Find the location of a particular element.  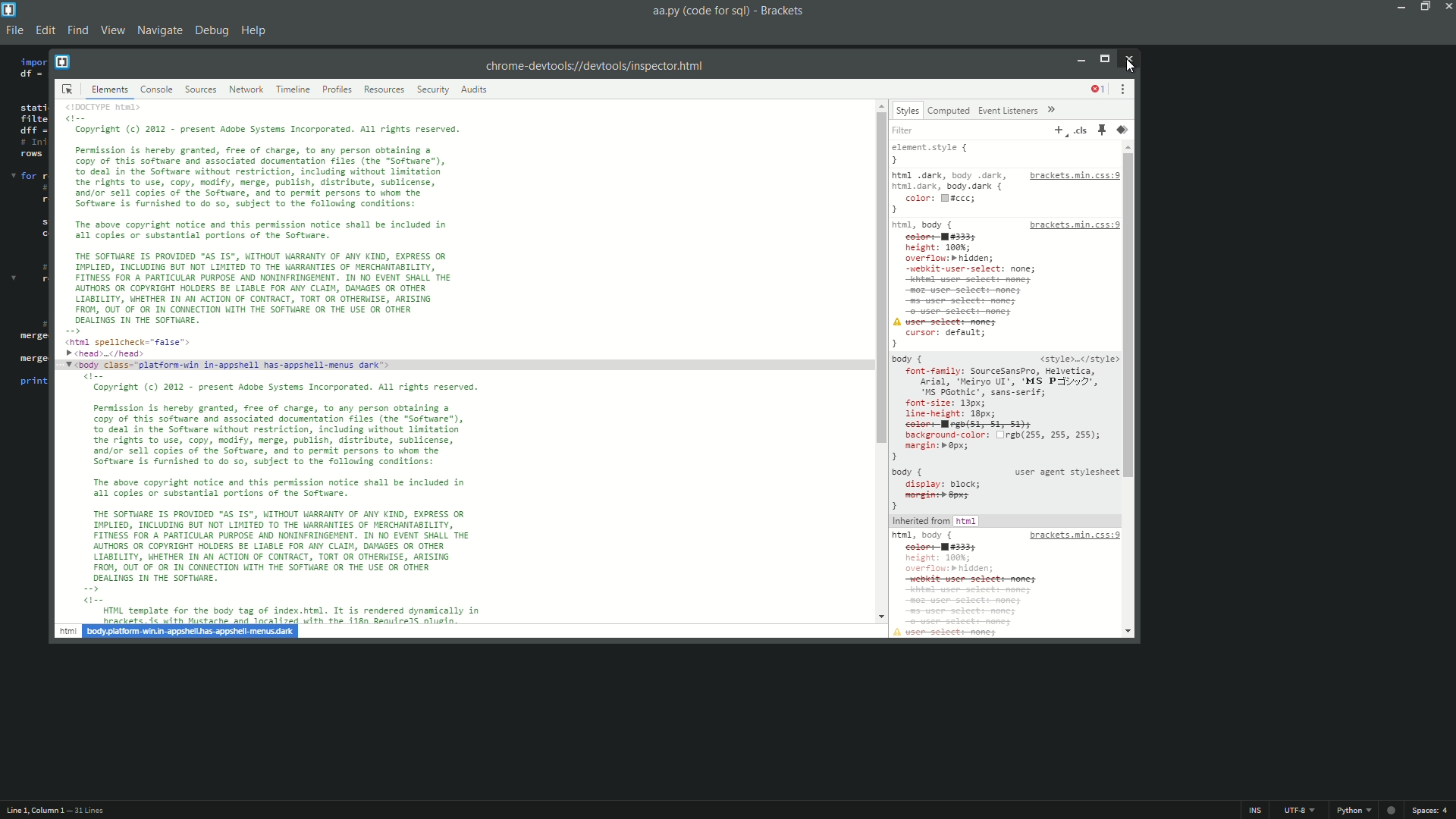

<t--
Copyright (c) 2012 - present Adobe Systems Incorporated. ALL rights reserved.
Permission is hereby granted, free of charge, to any person obtaining a
copy of this software and associated documentation files (the "Software"),
to deal in the Software without restriction, including without limitation
the rights to use, copy, modify, merge, publish, distribute, sublicense,
and/or sell copies of the Software, and to permit persons to whom the
Software is furnished to do so, subject to the following conditions:
The above copyright notice and this permission notice shall be included in
all copies or substantial portions of the Software.
THE SOFTWARE IS PROVIDED "AS IS", WITHOUT WARRANTY OF ANY KIND, EXPRESS OR
IHPLIED, INCLUDING BUT NOT LIMITED TO THE WARRANTIES OF MERCHANTABILITY,
FITNESS FOR A PARTICULAR PURPOSE AND NONINFRINGEMENT. IN NO EVENT SHALL THE
AUTHORS OR COPYRIGHT HOLDERS BE LIABLE FOR ANY CLAIM, DAMAGES OR OTHER
LIABILITY, WHETHER IN AN ACTION OF CONTRACT, TORT OR OTHERWISE, ARISING
FROM, OUT OF OR IN CONNECTION WITH THE SOFTWARE OR THE USE OR OTHER
DEALINGS IN THE SOFTWARE.
>
<html spellcheck="false">
> chead>..</head>
¥ <body class="platforn-win in-appshell has-appshell-nenus dark’>
tn
Copyright (c) 2012 - present Adobe Systems Incorporated. ALL rights reserved.
Permission is hereby granted, free of charge, to any person obtaining a
copy of this software and associated documentation files (the "Software",
to deal in the Software without restriction, including without limitation
the rights to use, copy, modify, merge, publish, distribute, sublicense,
and/or sell copies of the Software, and to permit persons to whom the
Software is furnished to do so, subject to the following conditions:
The above copyright notice and this permission notice shall be included in
all copies or substantial portions of the Software.
THE SOFTWARE IS PROVIDED "AS IS", WITHOUT WARRANTY OF ANY KIND, EXPRESS OR
IHPLIED, INCLUDING BUT NOT LIMITED TO THE WARRANTIES OF MERCHANTABILITY,
FITNESS FOR A PARTICULAR PURPOSE AND NONINFRINGEMENT. IN NO EVENT SHALL THE
AUTHORS OR COPYRIGHT HOLDERS BE LIABLE FOR ANY CLAIM, DAMAGES OR OTHER
LIABILITY, WHETHER IN AN ACTION OF CONTRACT, TORT OR OTHERWISE, ARISING
FROM, OUT OF OR IN CONNECTION WITH THE SOFTWARE OR THE USE OR OTHER
DEALINGS IN THE SOFTWARE.
>
a--
HTML template for the body tag of index.html. It is rendered dynamically in is located at coordinates (284, 365).